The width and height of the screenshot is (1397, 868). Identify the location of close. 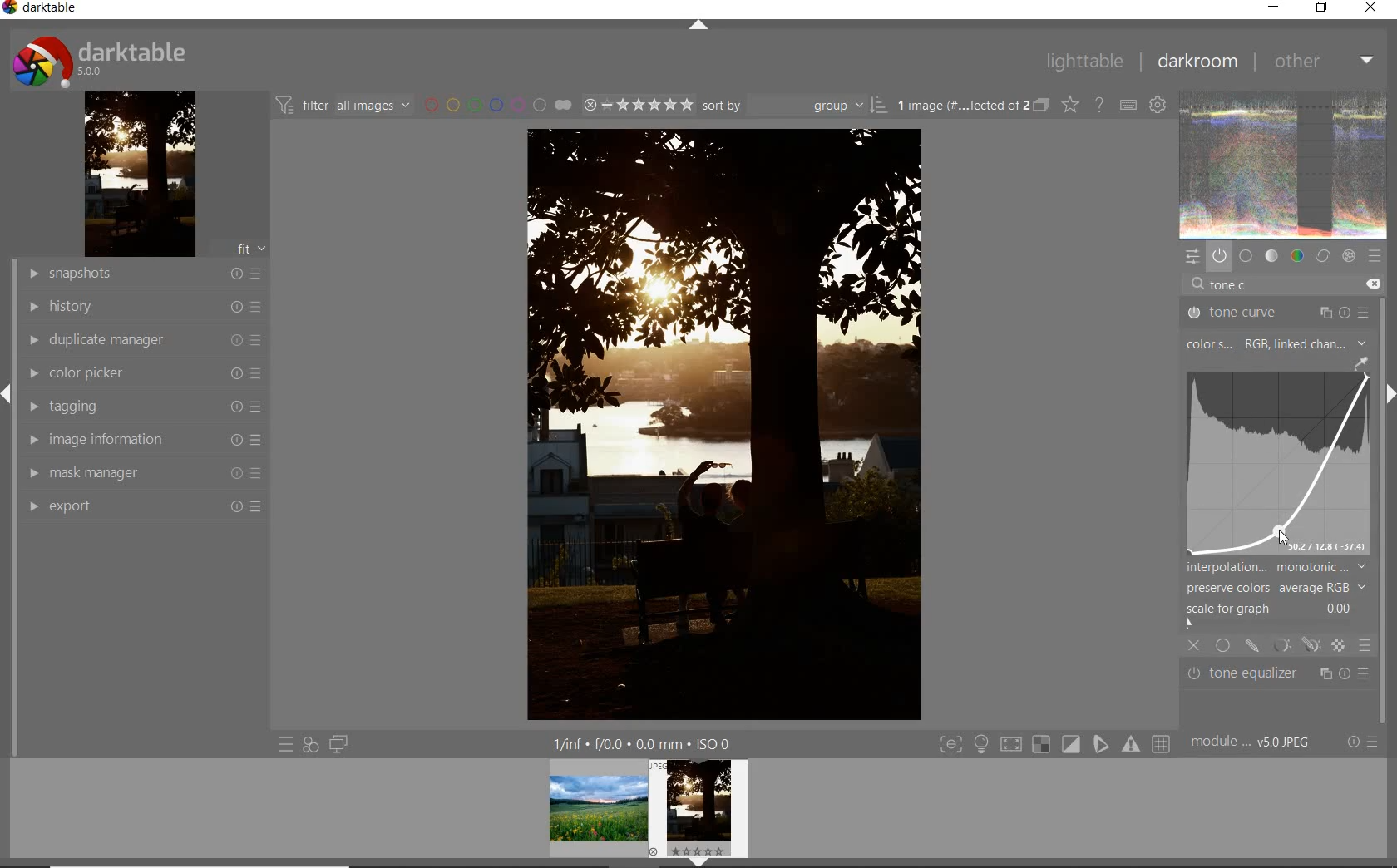
(1371, 8).